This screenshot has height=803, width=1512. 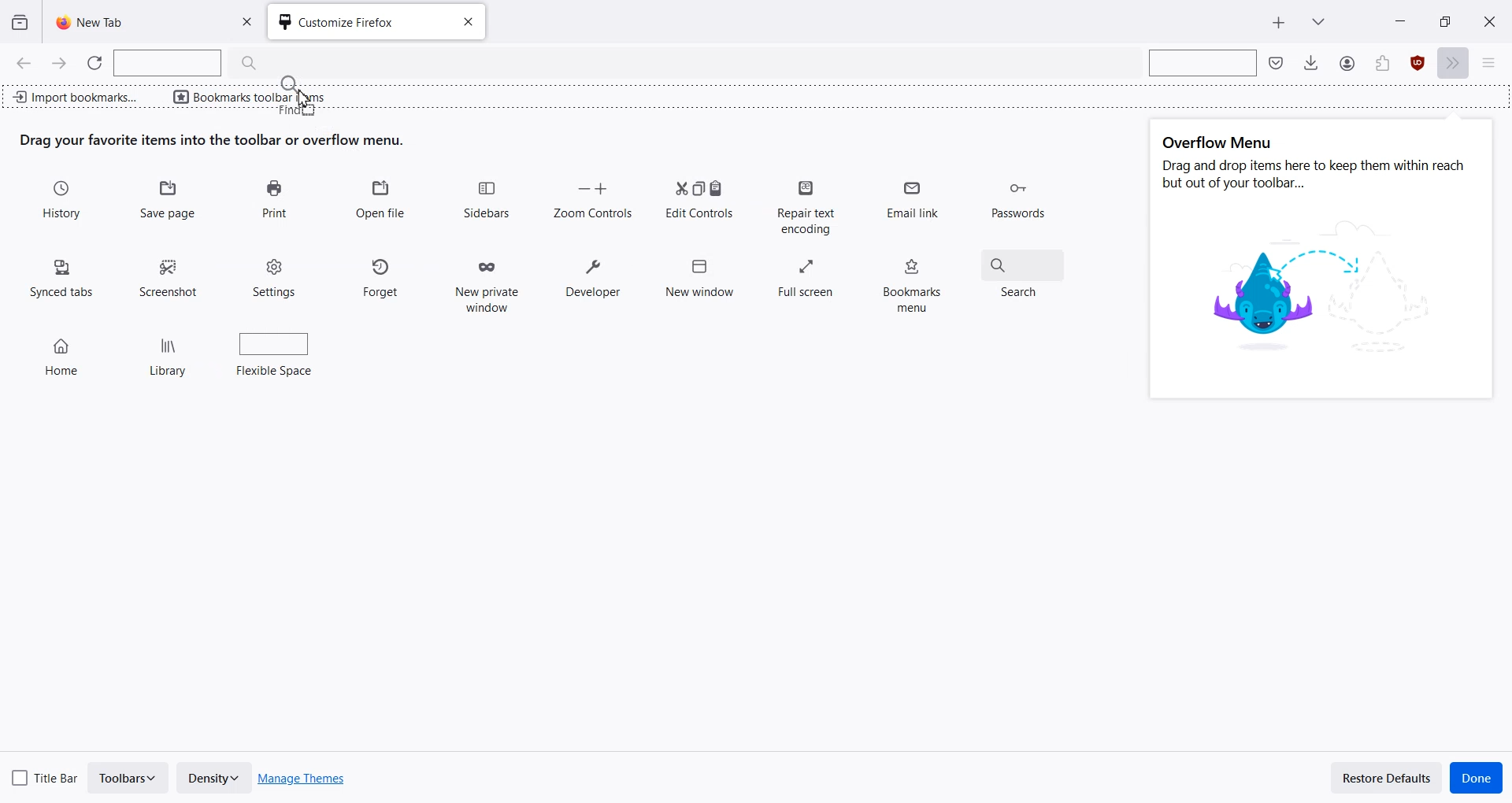 I want to click on Minimize, so click(x=1401, y=20).